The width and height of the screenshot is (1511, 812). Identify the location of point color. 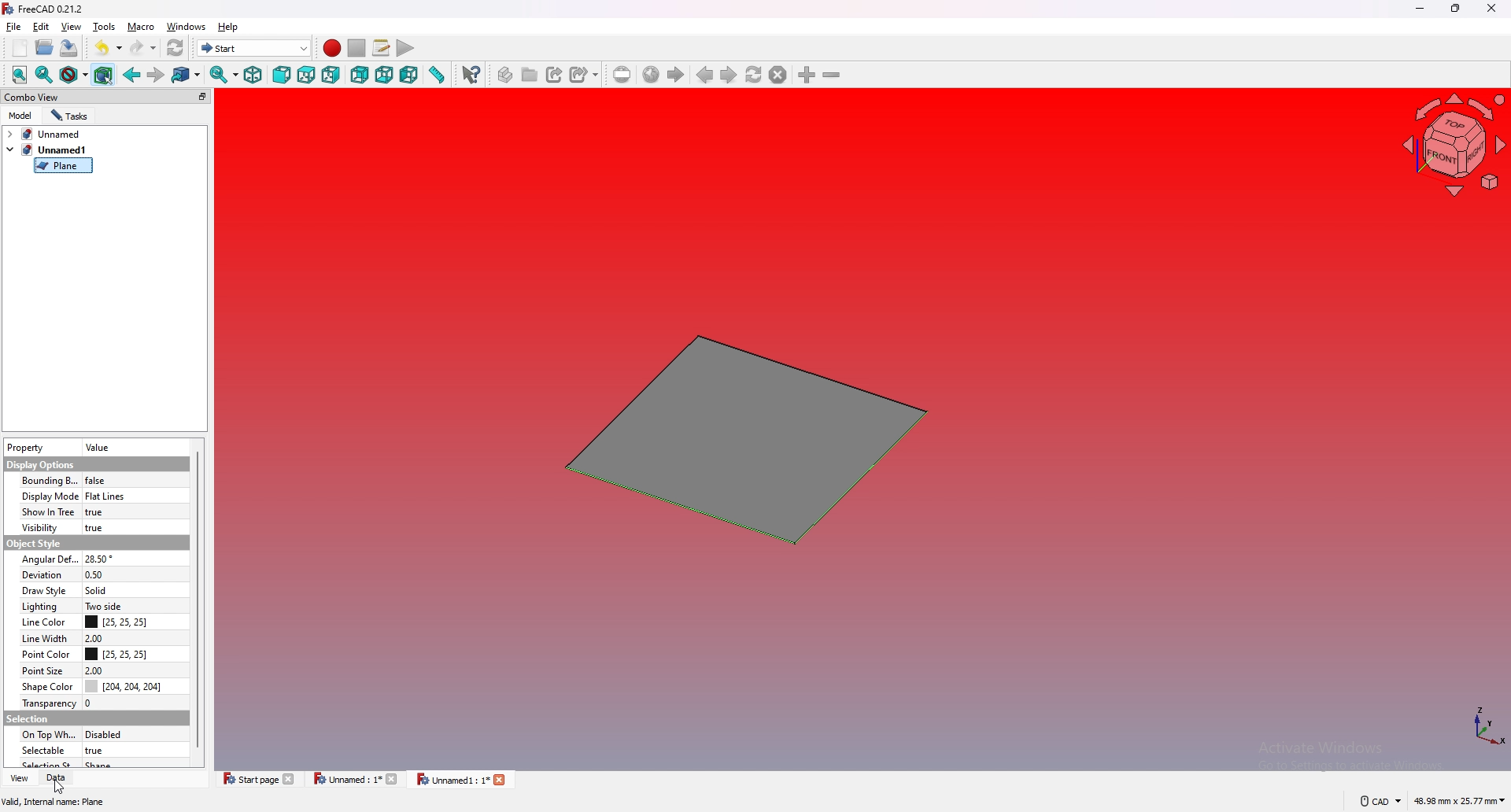
(45, 654).